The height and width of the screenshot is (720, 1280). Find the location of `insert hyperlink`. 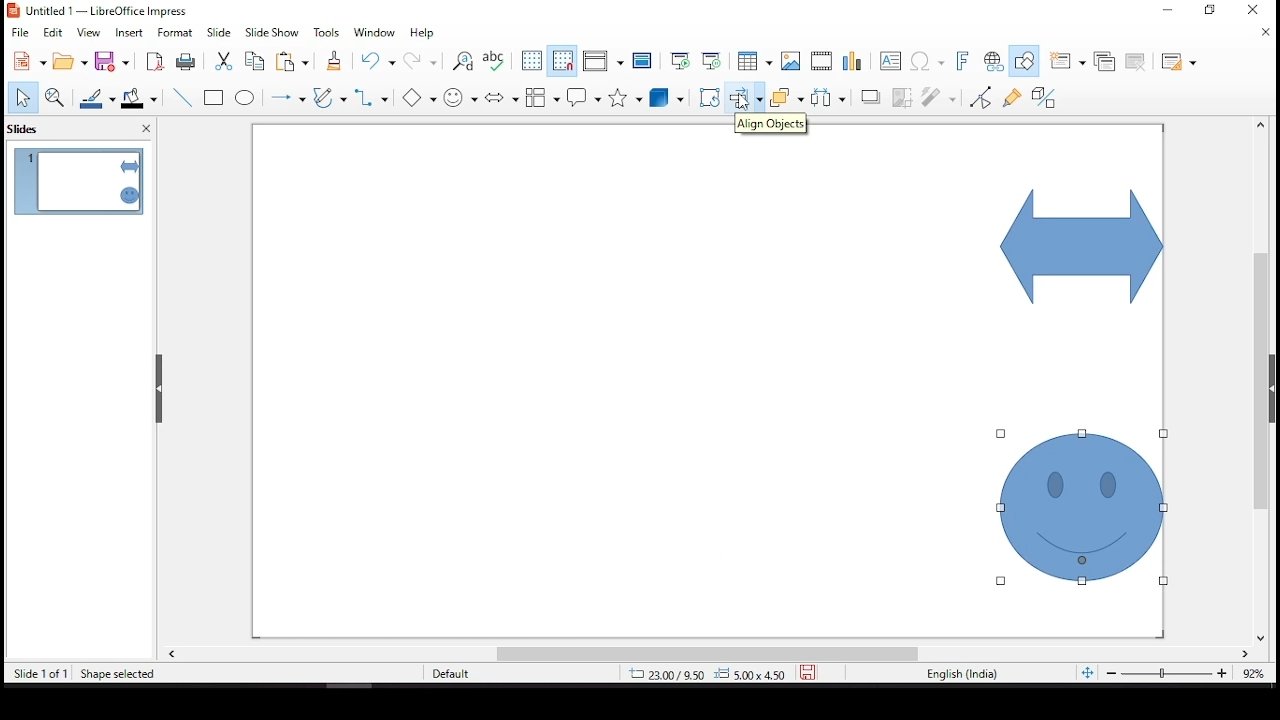

insert hyperlink is located at coordinates (994, 63).